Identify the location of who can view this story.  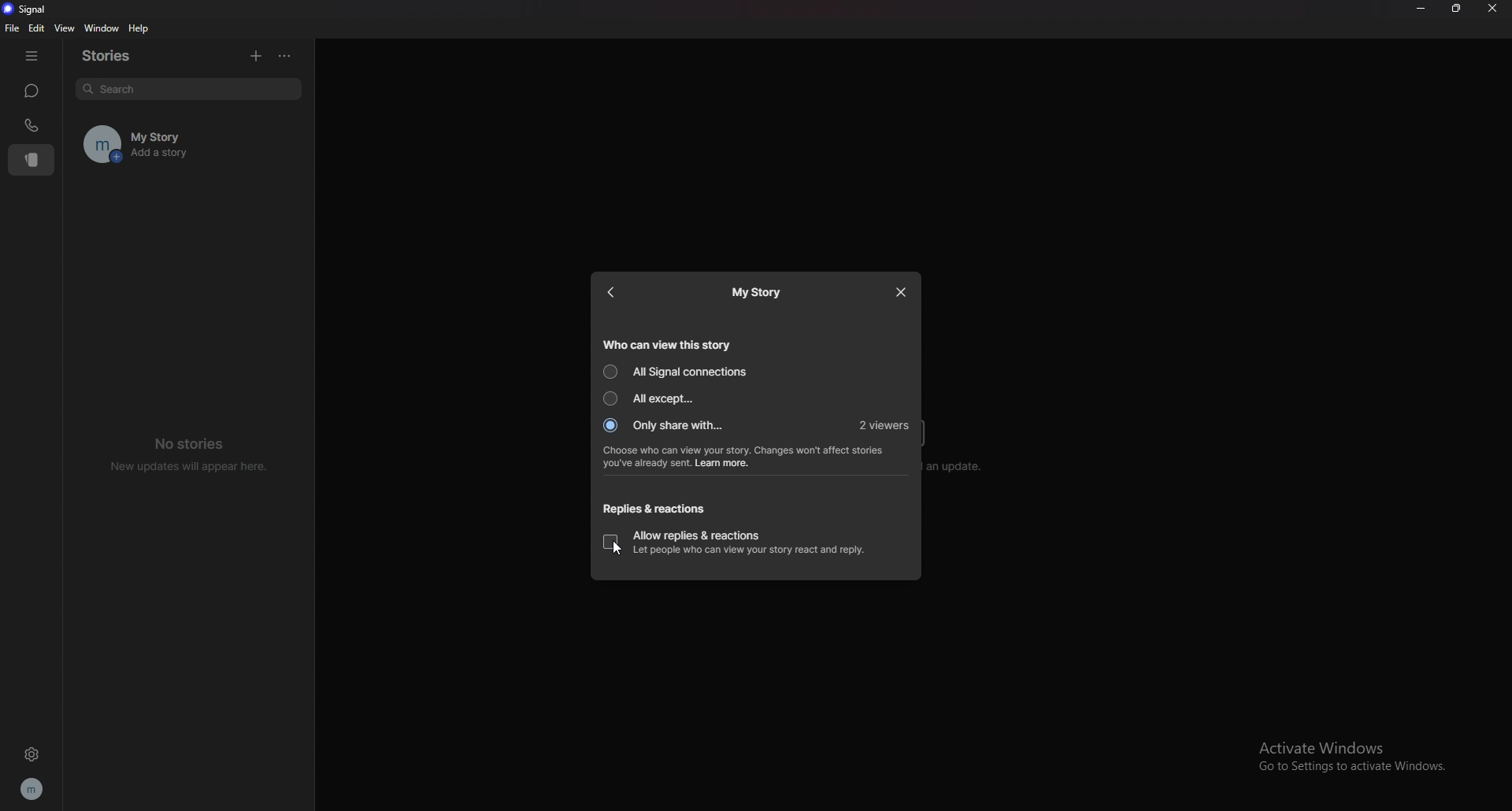
(667, 343).